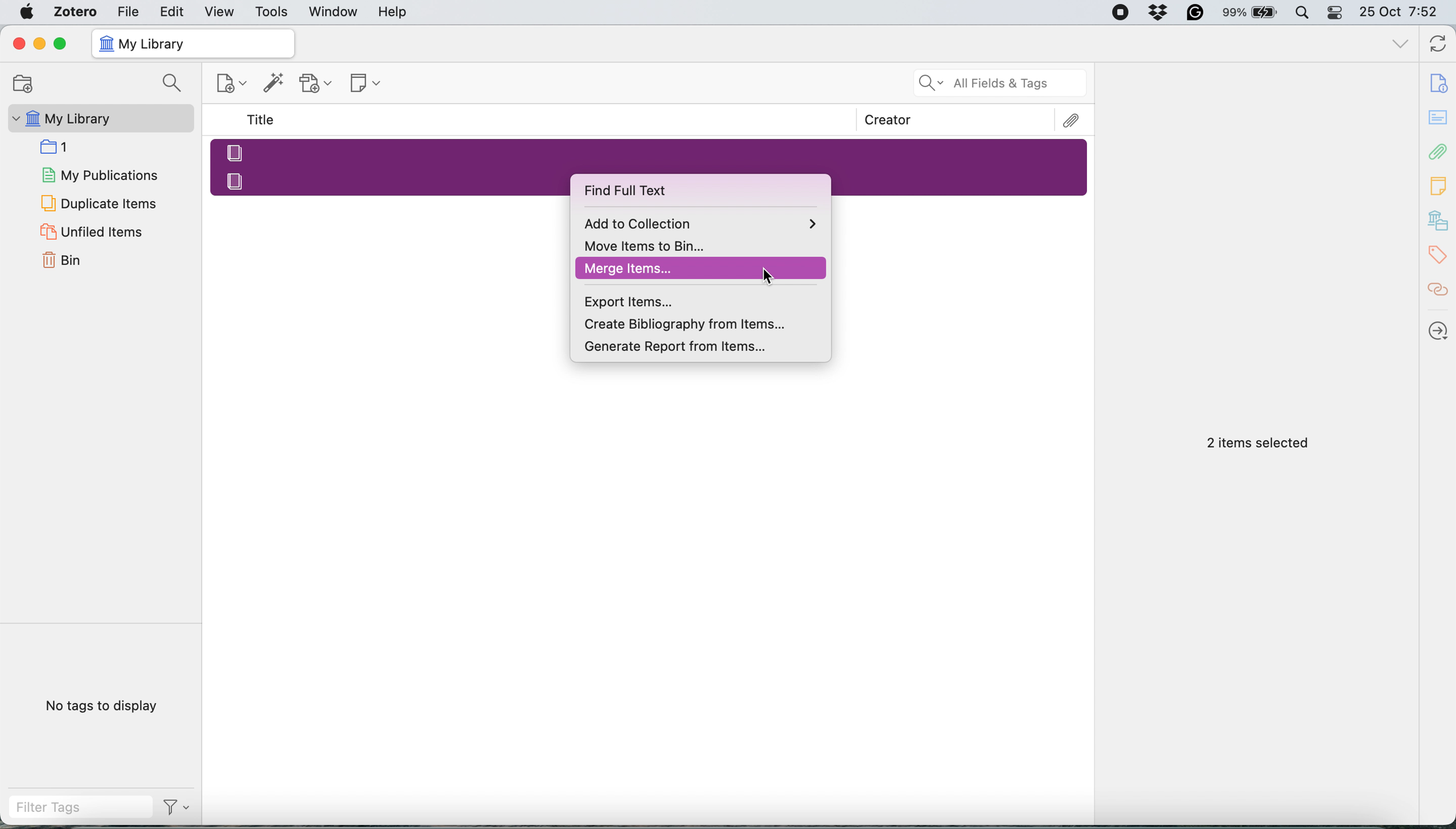  What do you see at coordinates (1439, 183) in the screenshot?
I see `Notes` at bounding box center [1439, 183].